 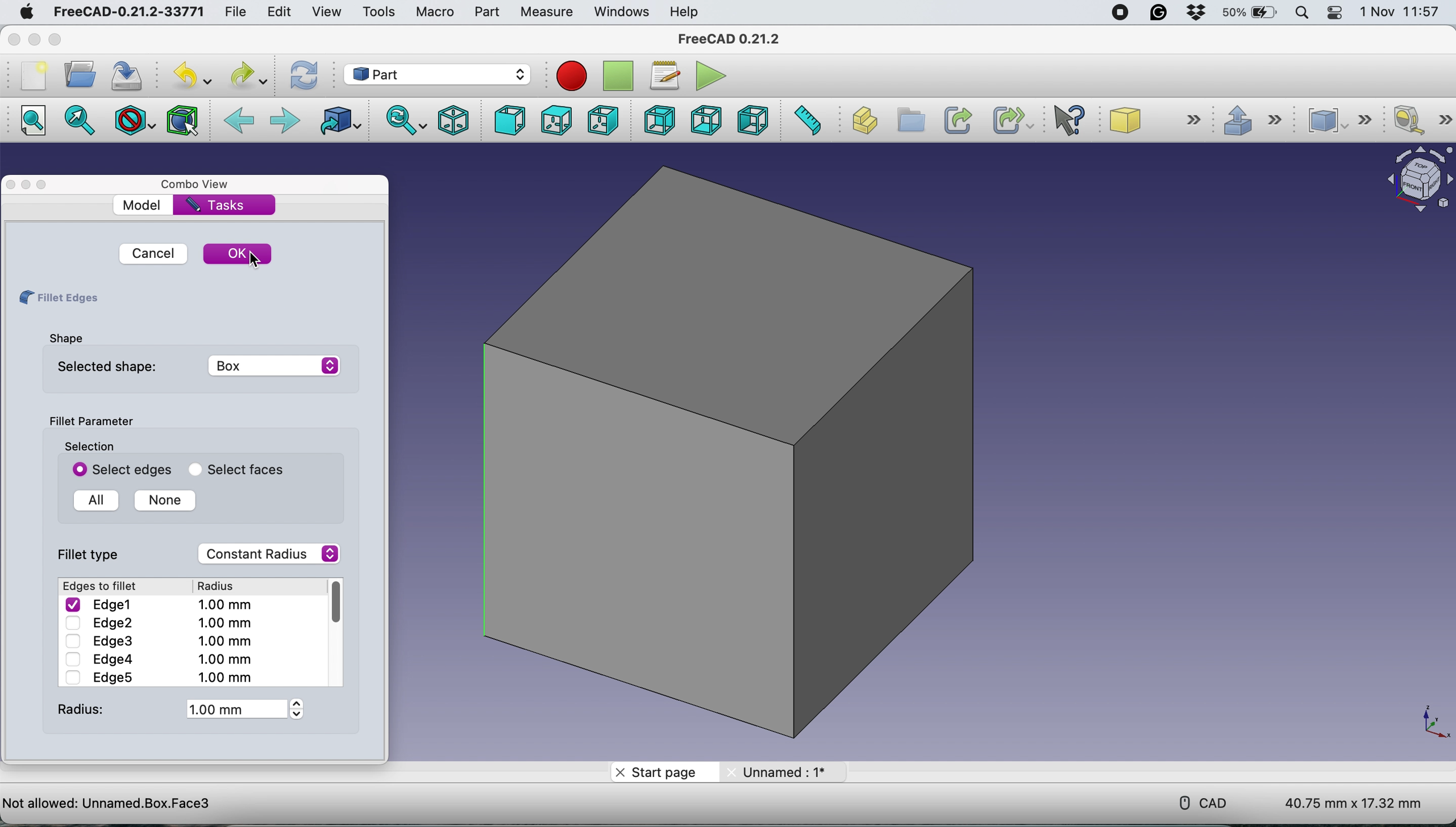 What do you see at coordinates (706, 119) in the screenshot?
I see `bottom` at bounding box center [706, 119].